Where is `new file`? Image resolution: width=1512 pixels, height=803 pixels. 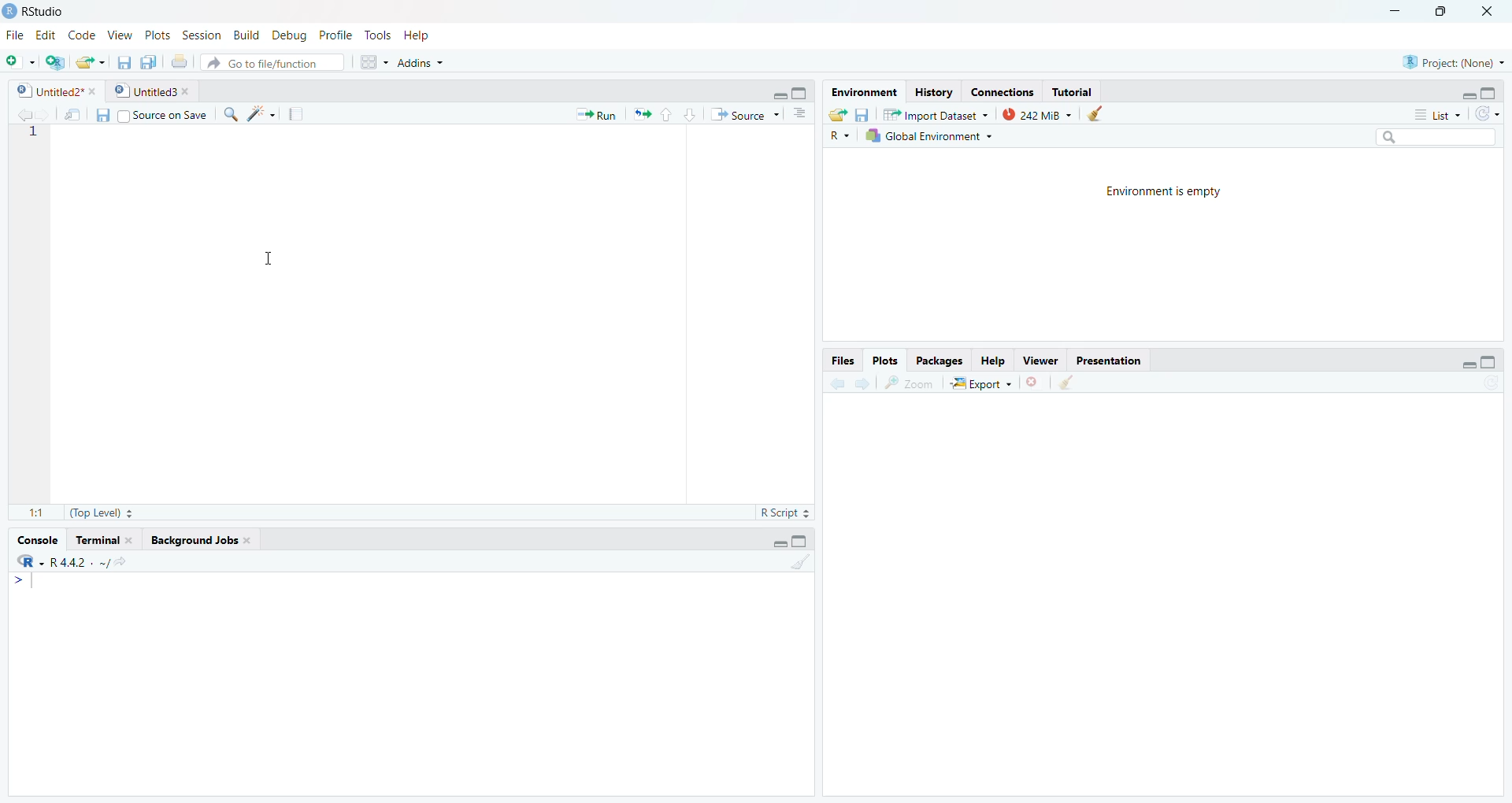 new file is located at coordinates (20, 62).